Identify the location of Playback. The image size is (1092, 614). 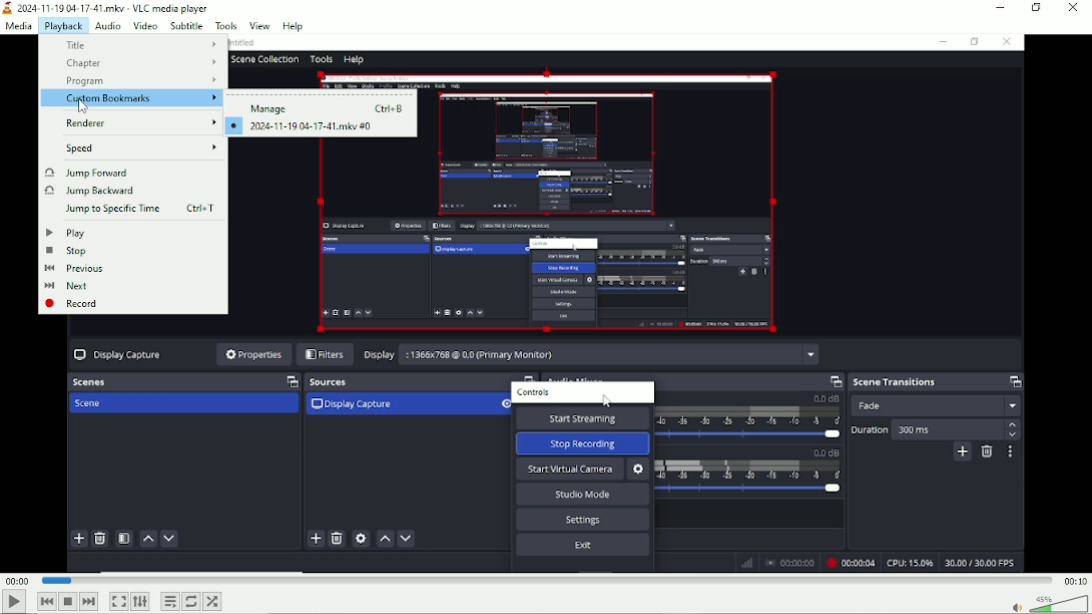
(63, 26).